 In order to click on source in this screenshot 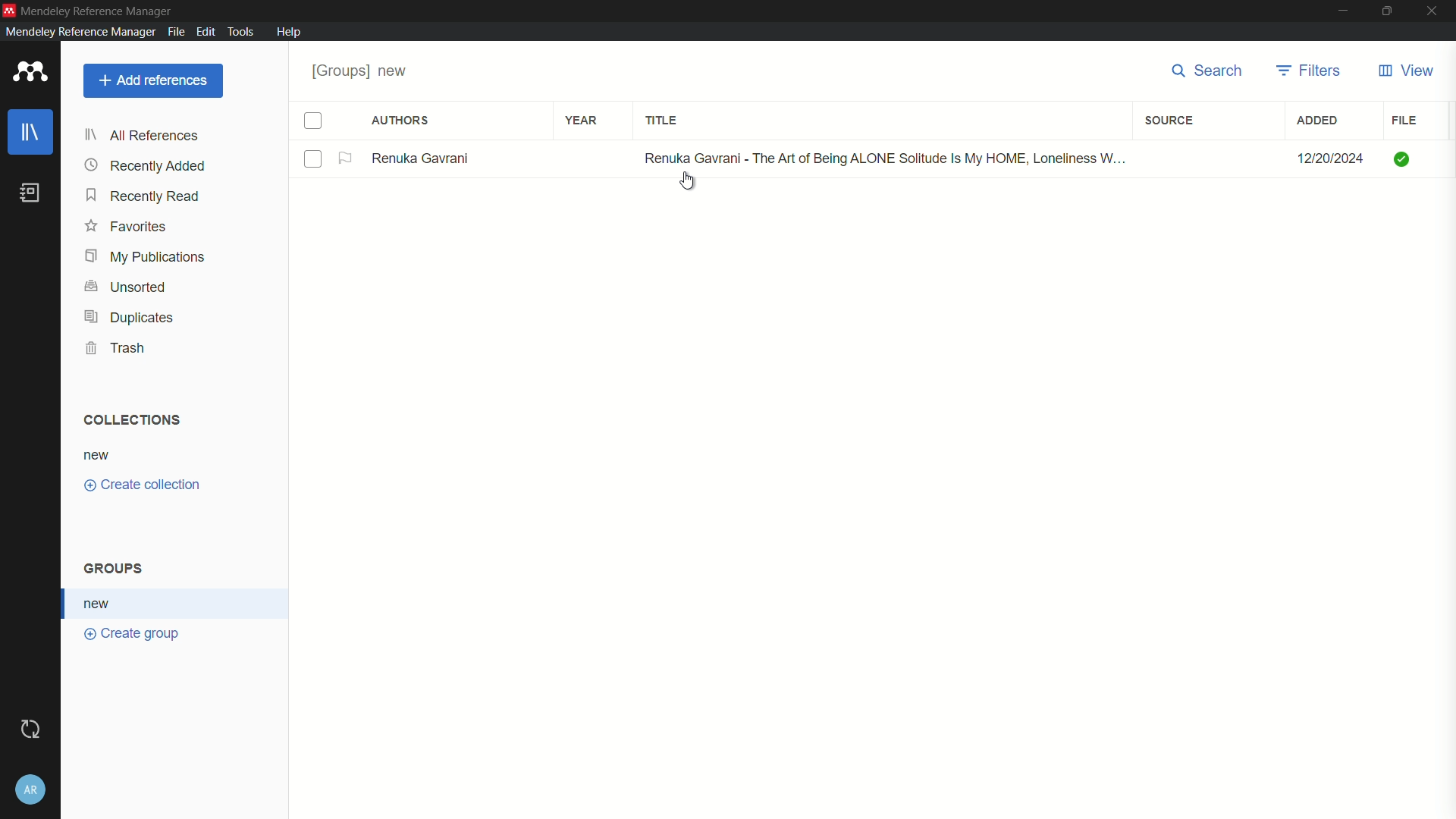, I will do `click(1170, 121)`.